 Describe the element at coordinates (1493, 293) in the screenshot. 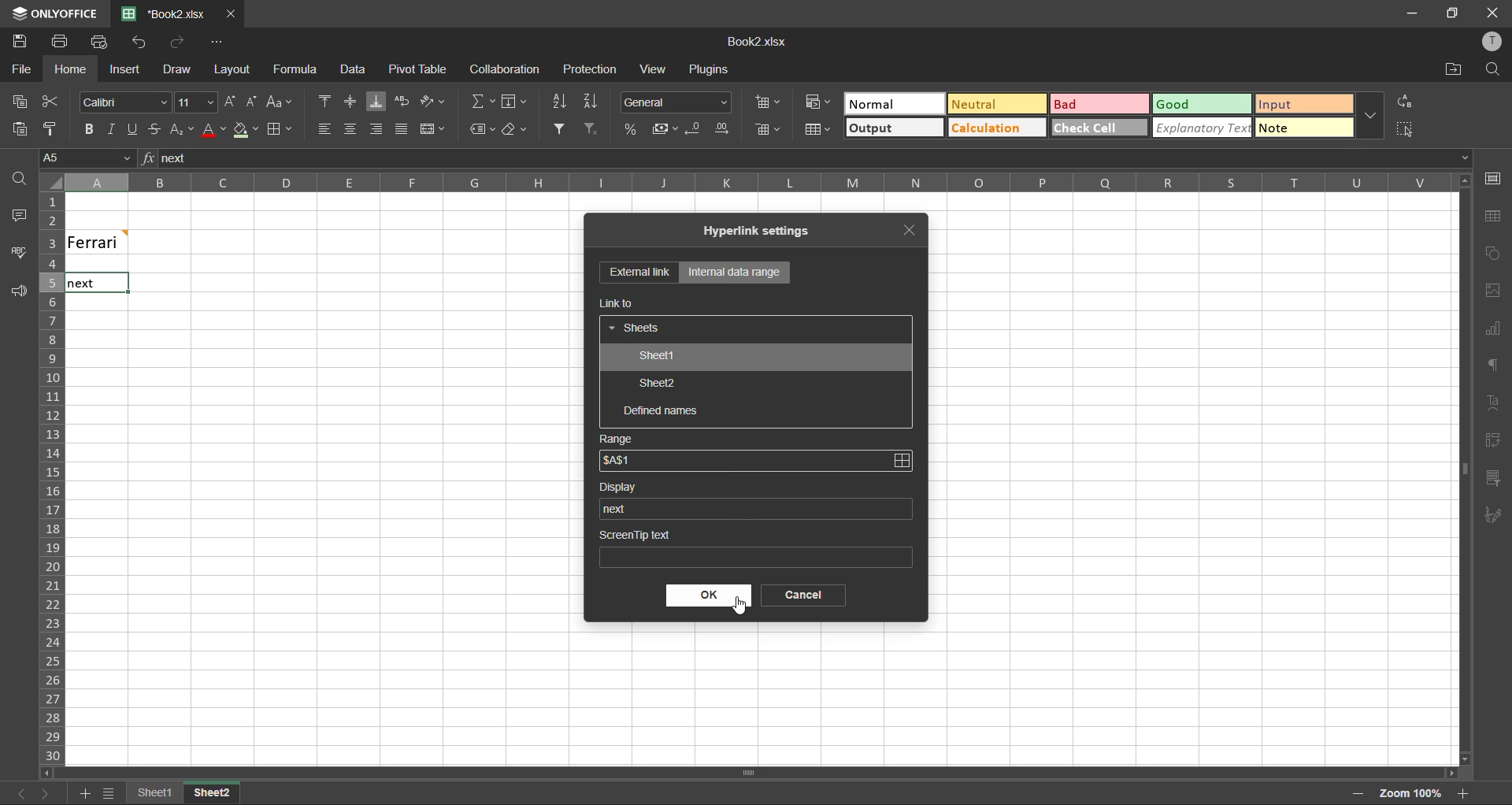

I see `image` at that location.